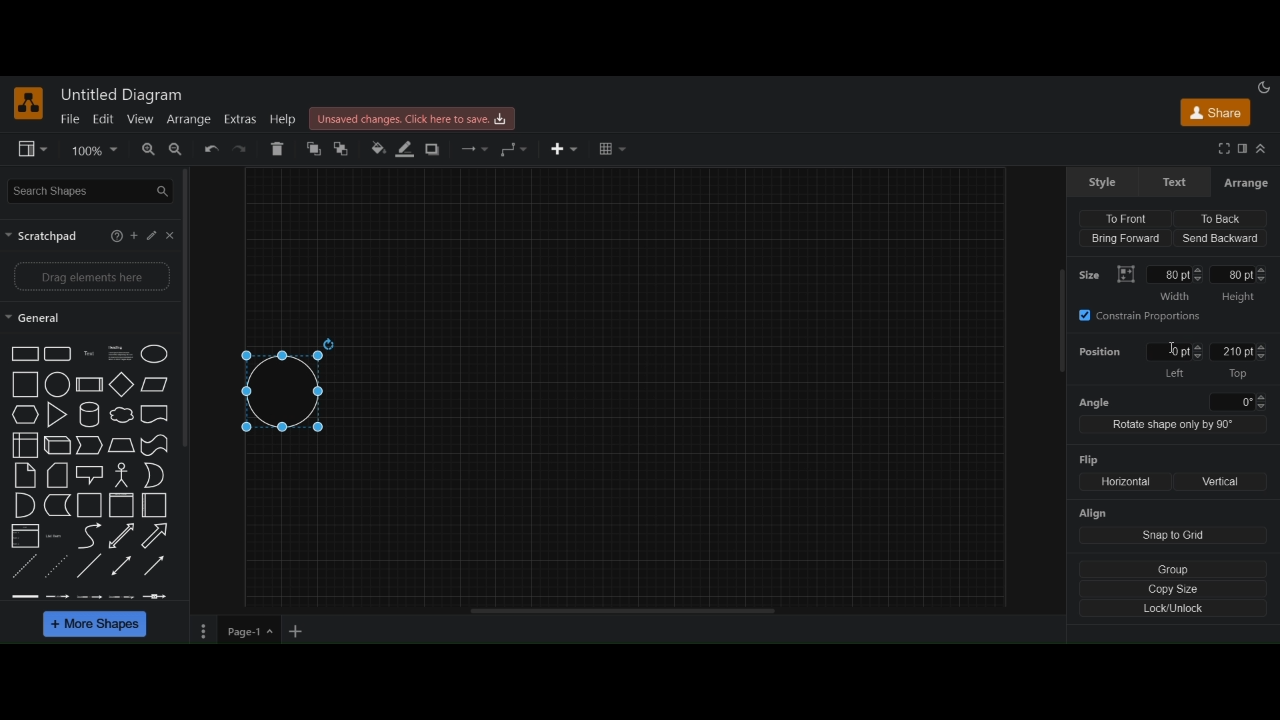  Describe the element at coordinates (1245, 183) in the screenshot. I see `arrange` at that location.